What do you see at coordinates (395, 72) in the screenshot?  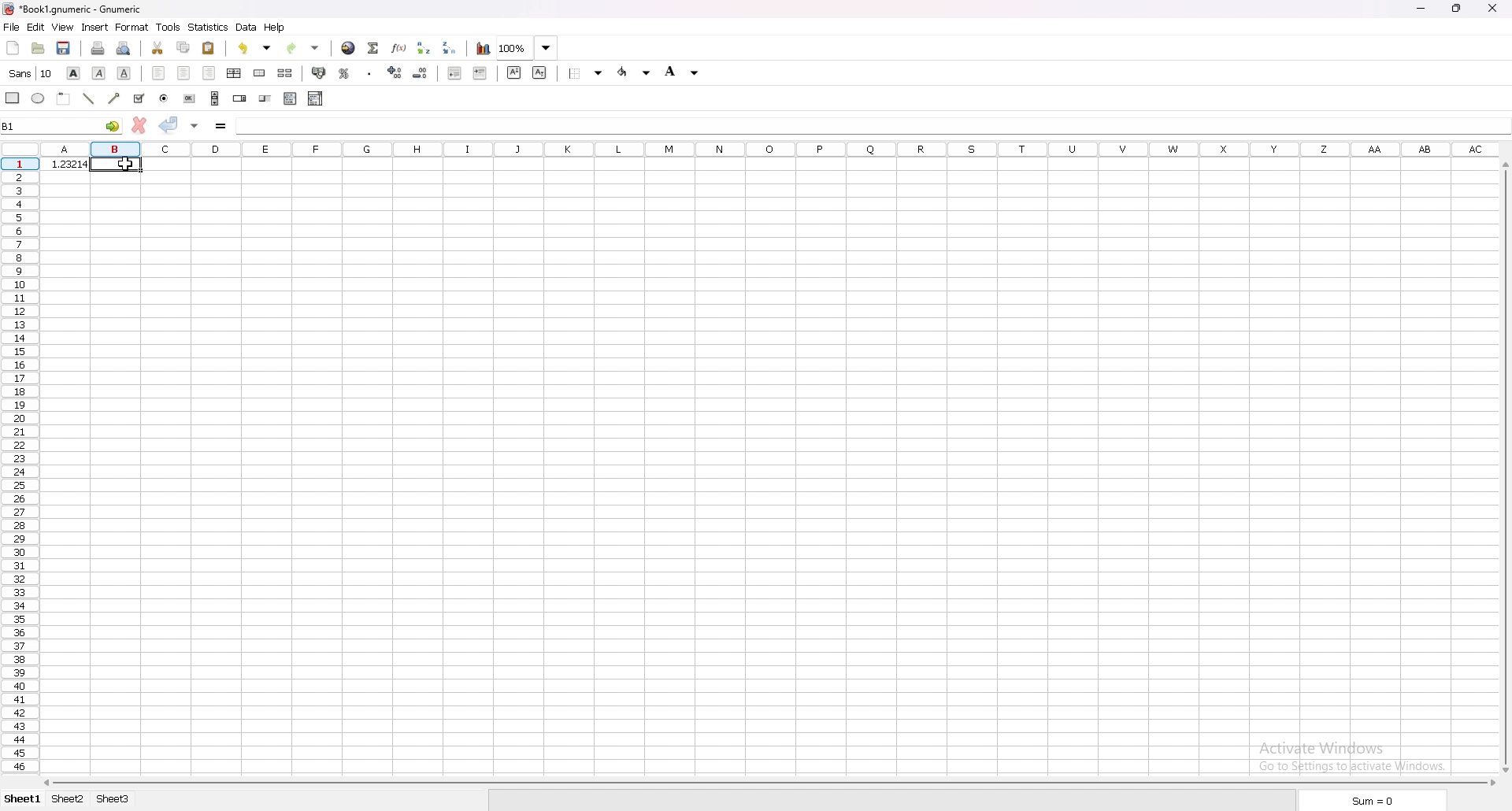 I see `increase decimals` at bounding box center [395, 72].